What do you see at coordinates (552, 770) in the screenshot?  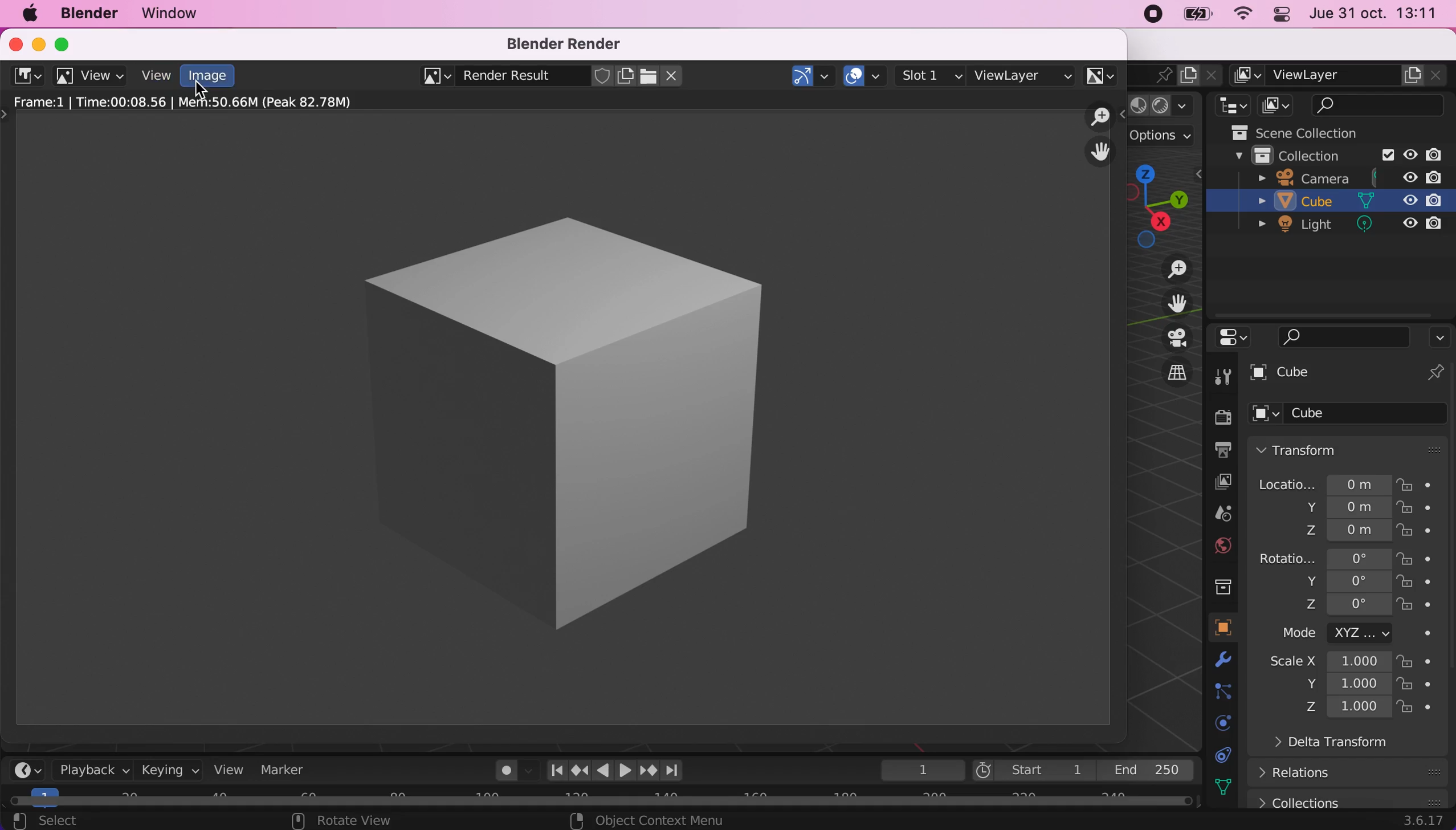 I see `Jump to first` at bounding box center [552, 770].